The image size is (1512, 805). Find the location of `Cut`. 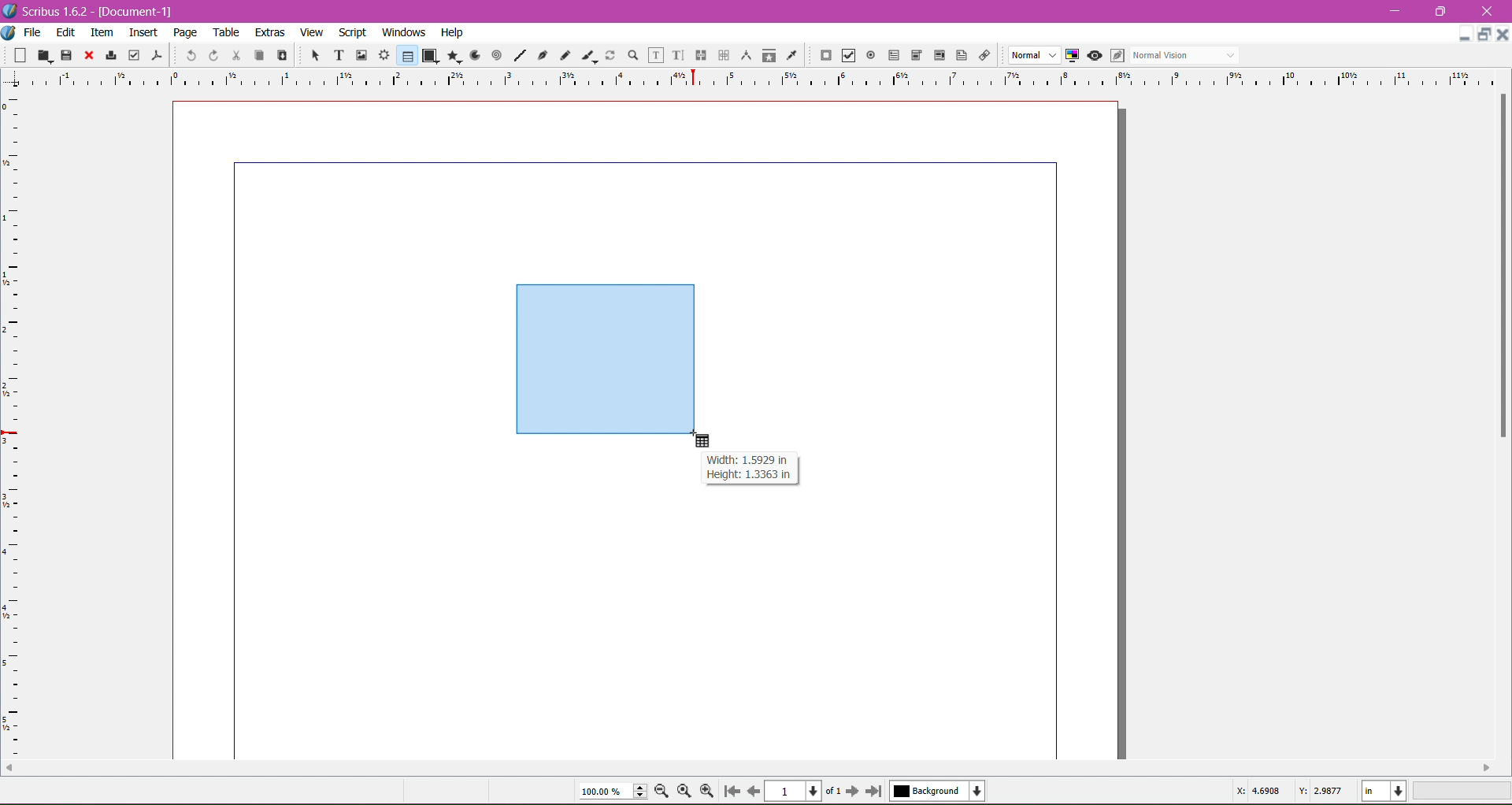

Cut is located at coordinates (233, 54).